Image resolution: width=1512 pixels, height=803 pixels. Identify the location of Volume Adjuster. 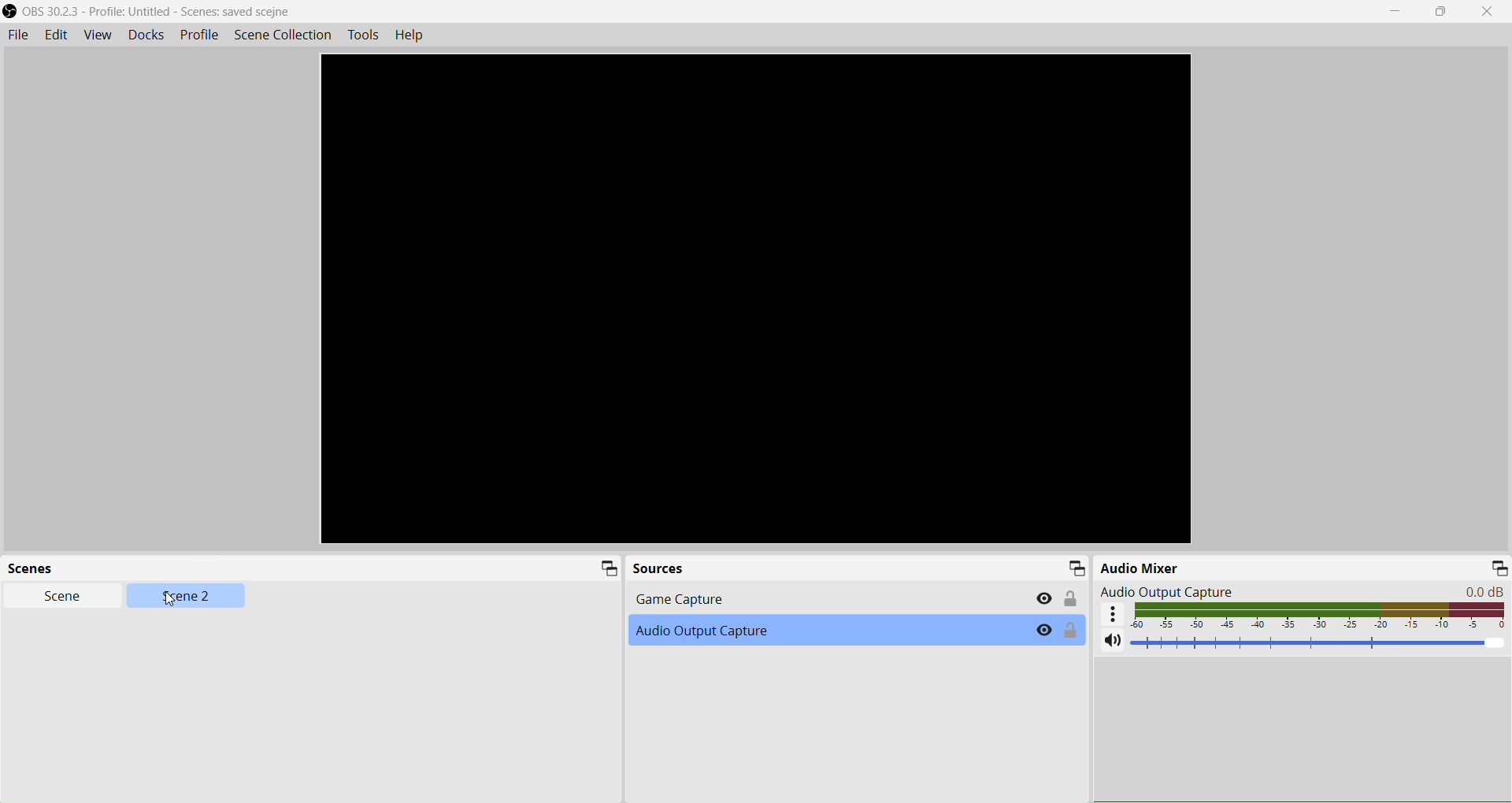
(1321, 642).